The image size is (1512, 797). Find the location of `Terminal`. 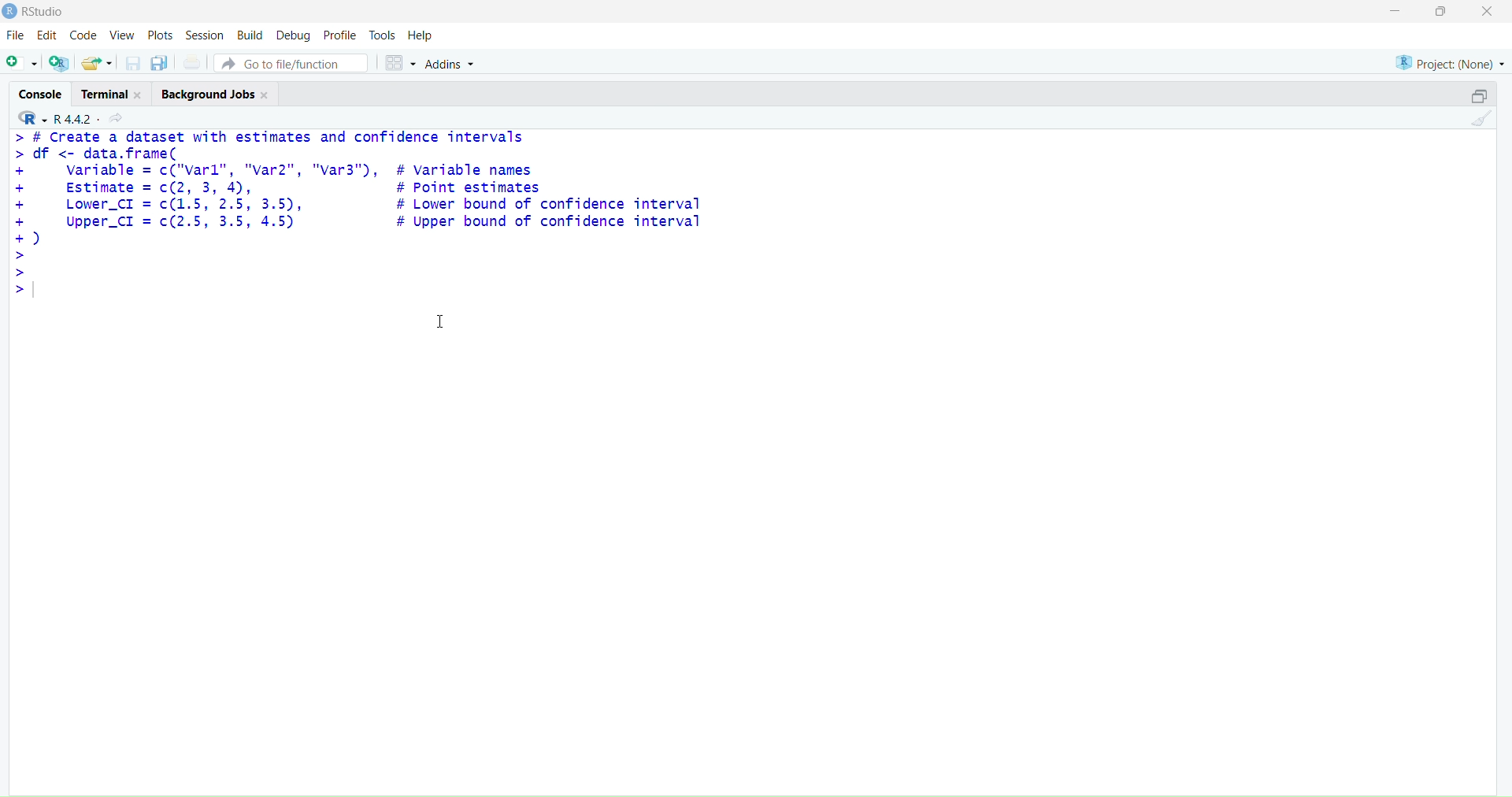

Terminal is located at coordinates (115, 93).